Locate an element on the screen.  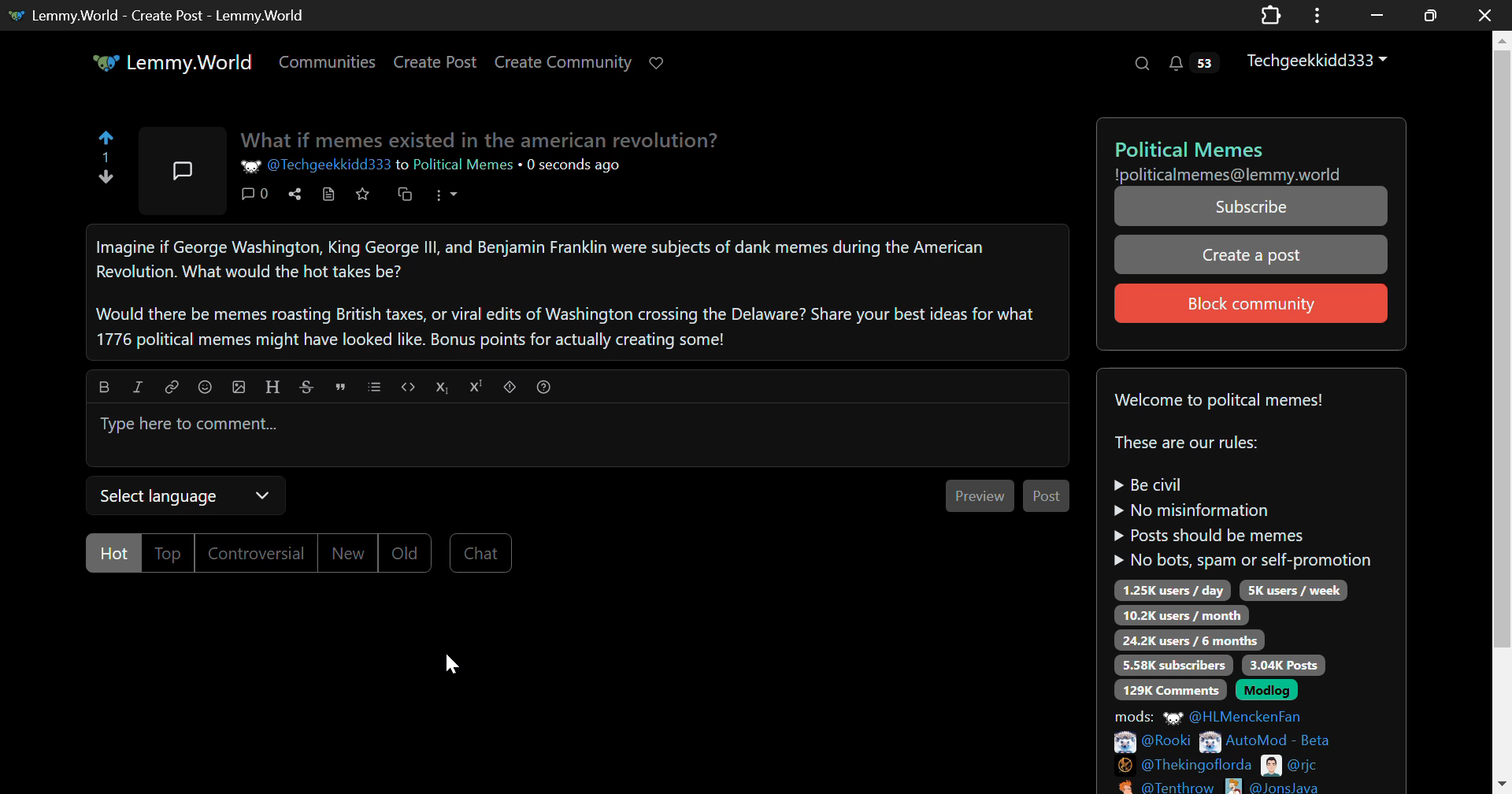
Header is located at coordinates (274, 385).